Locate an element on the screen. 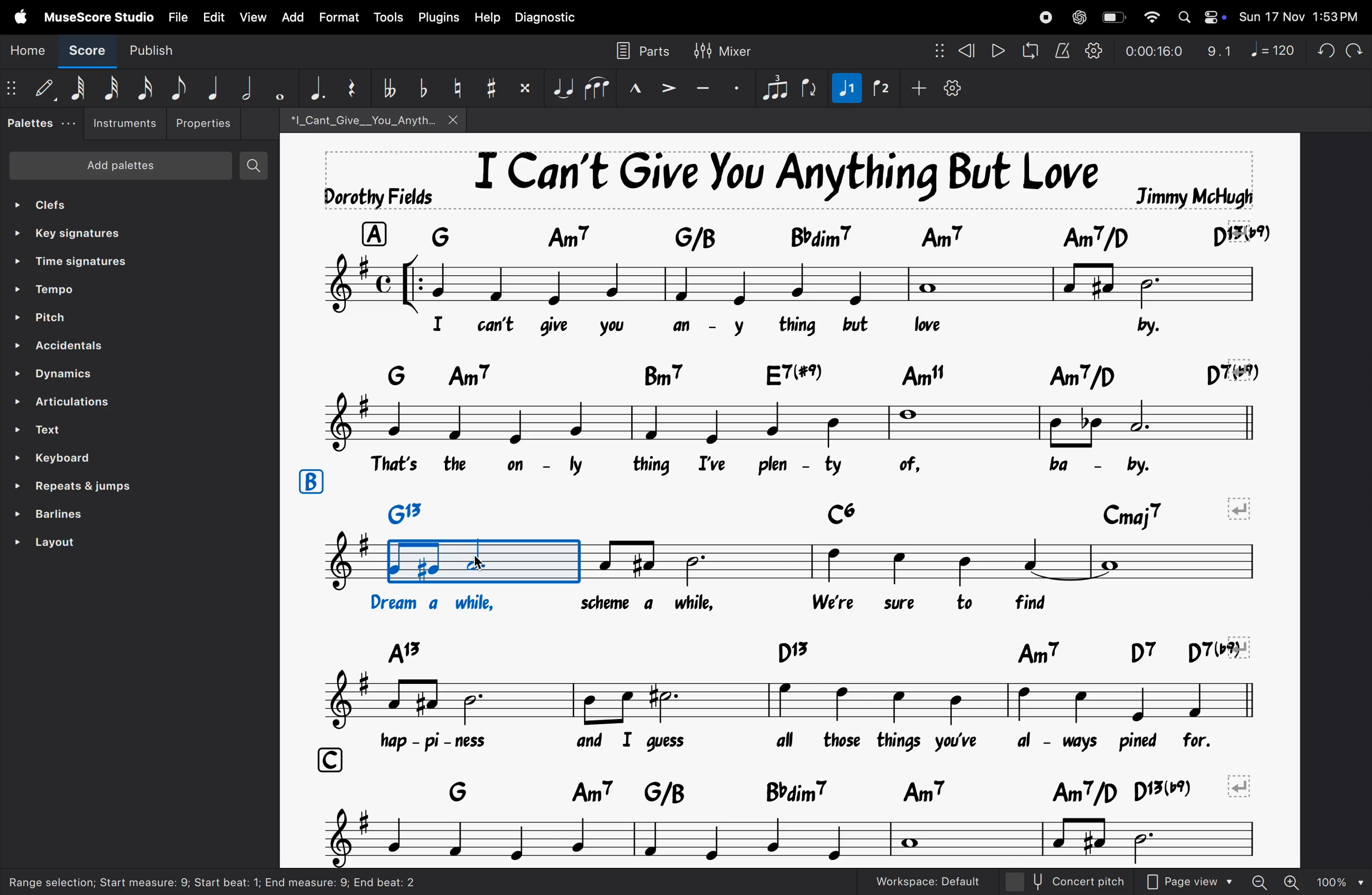 The height and width of the screenshot is (895, 1372). search is located at coordinates (255, 164).